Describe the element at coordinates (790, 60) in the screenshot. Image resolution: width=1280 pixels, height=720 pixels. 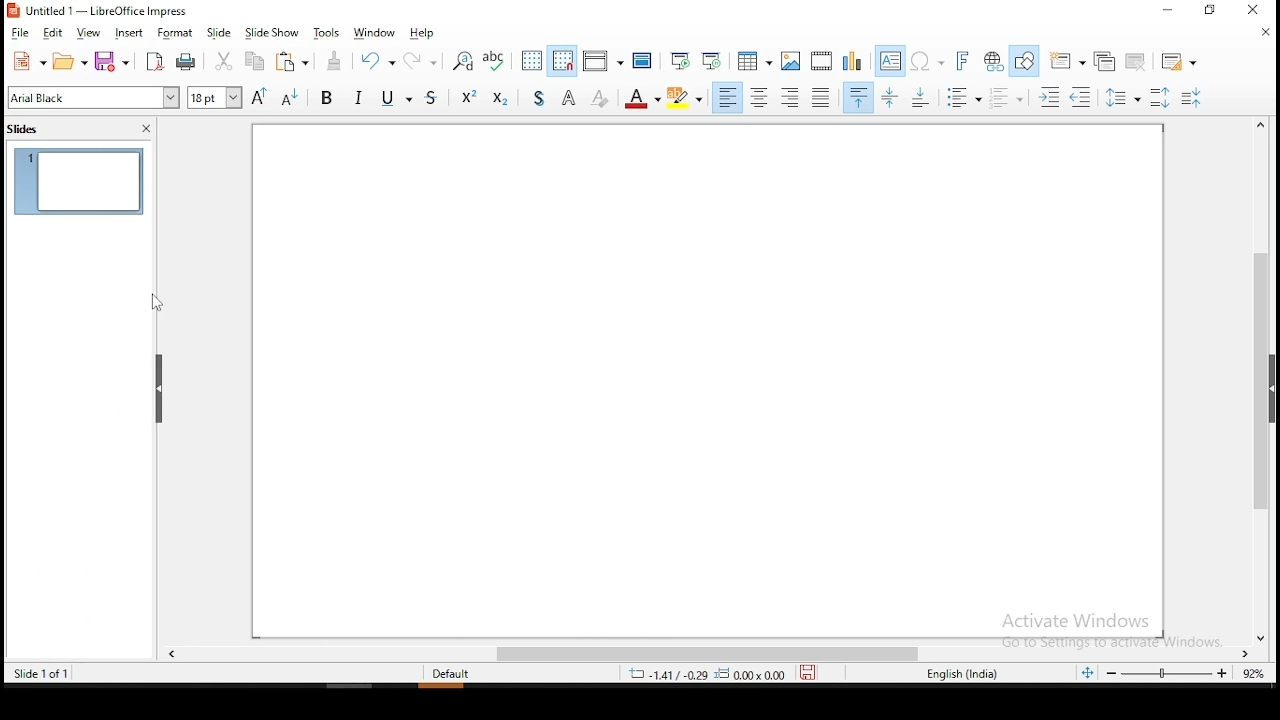
I see `image` at that location.